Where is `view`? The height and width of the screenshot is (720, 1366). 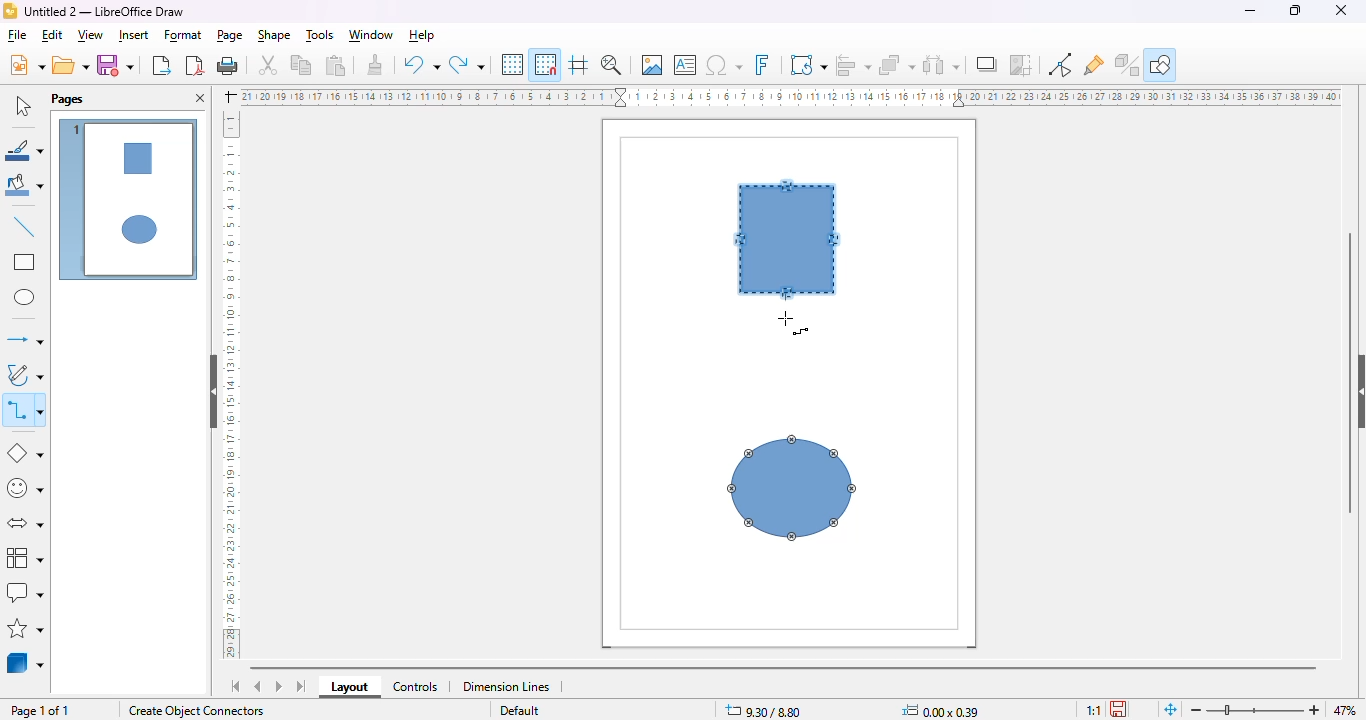 view is located at coordinates (91, 35).